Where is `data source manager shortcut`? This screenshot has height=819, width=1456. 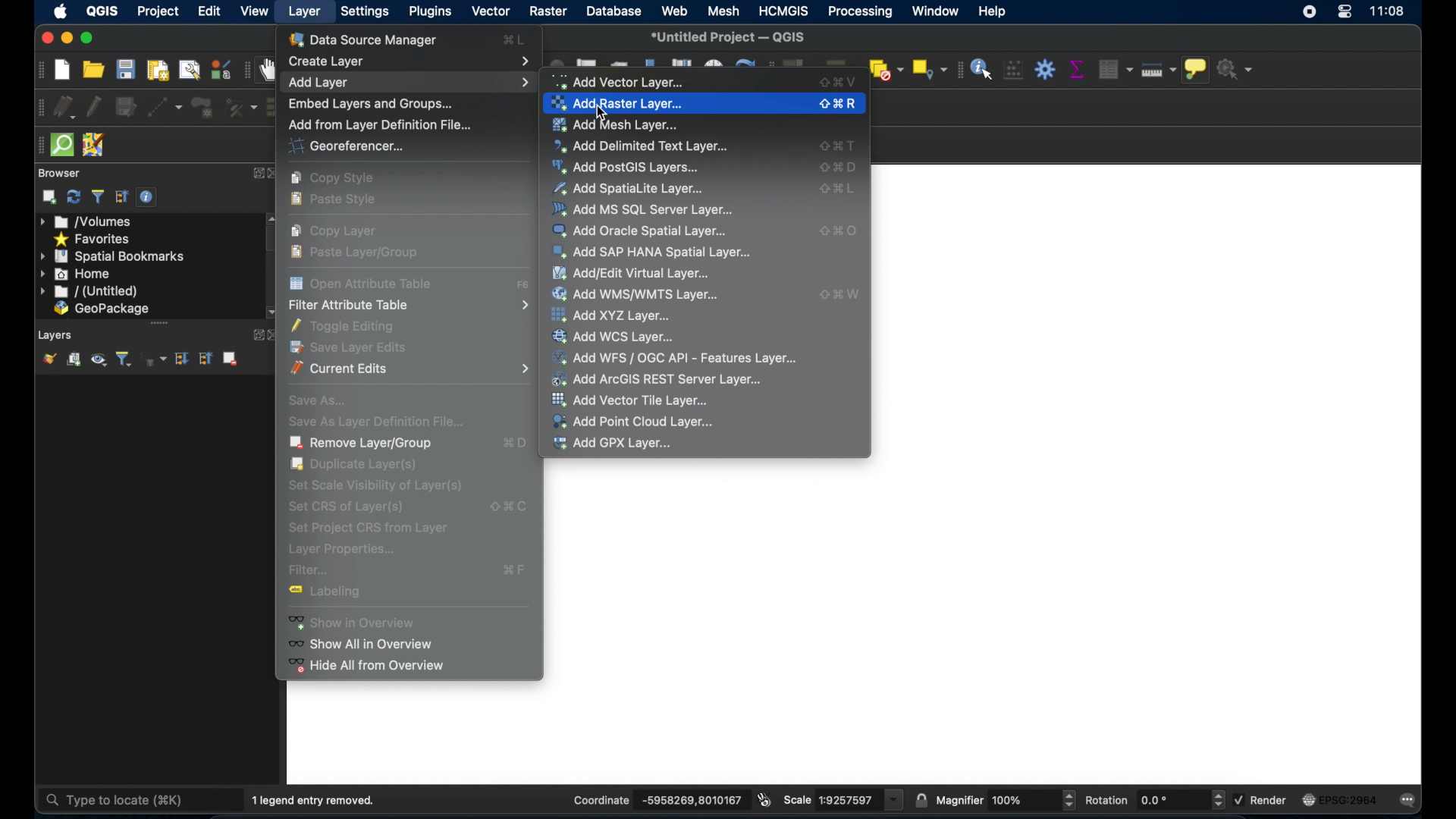
data source manager shortcut is located at coordinates (513, 39).